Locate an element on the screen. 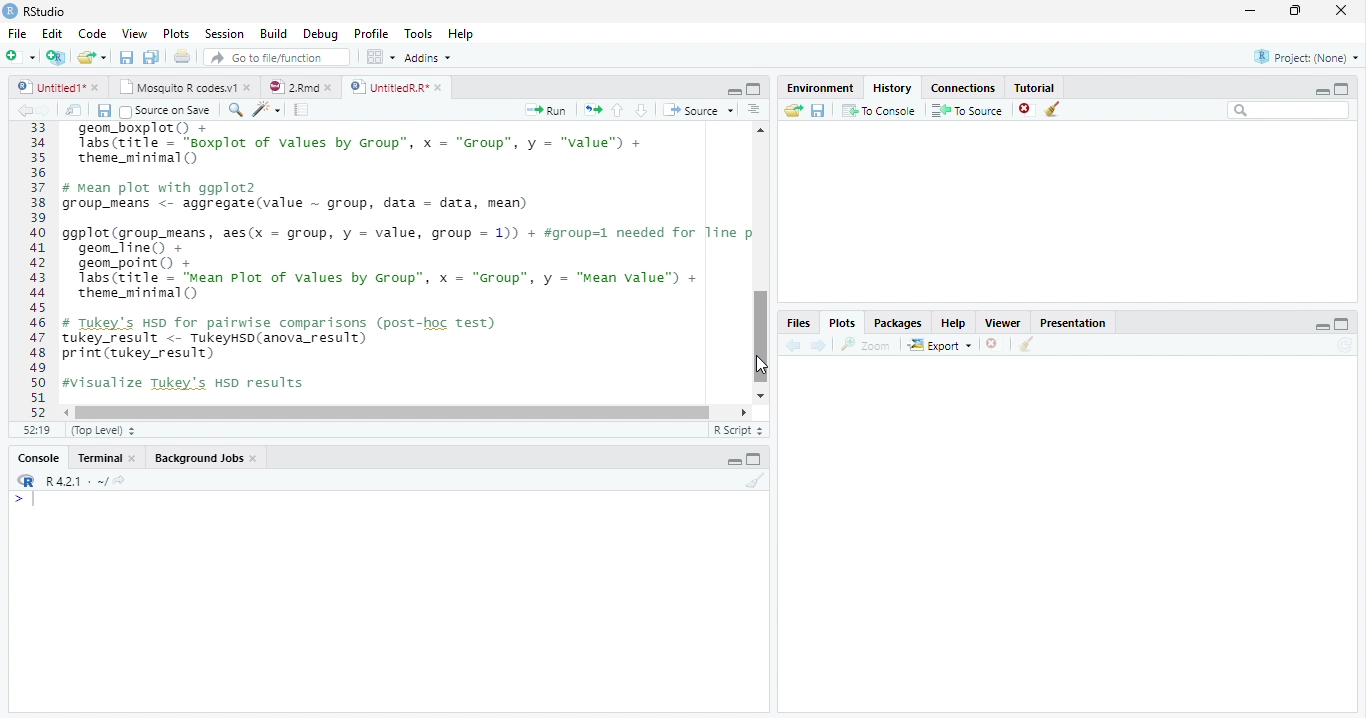  Session is located at coordinates (225, 34).